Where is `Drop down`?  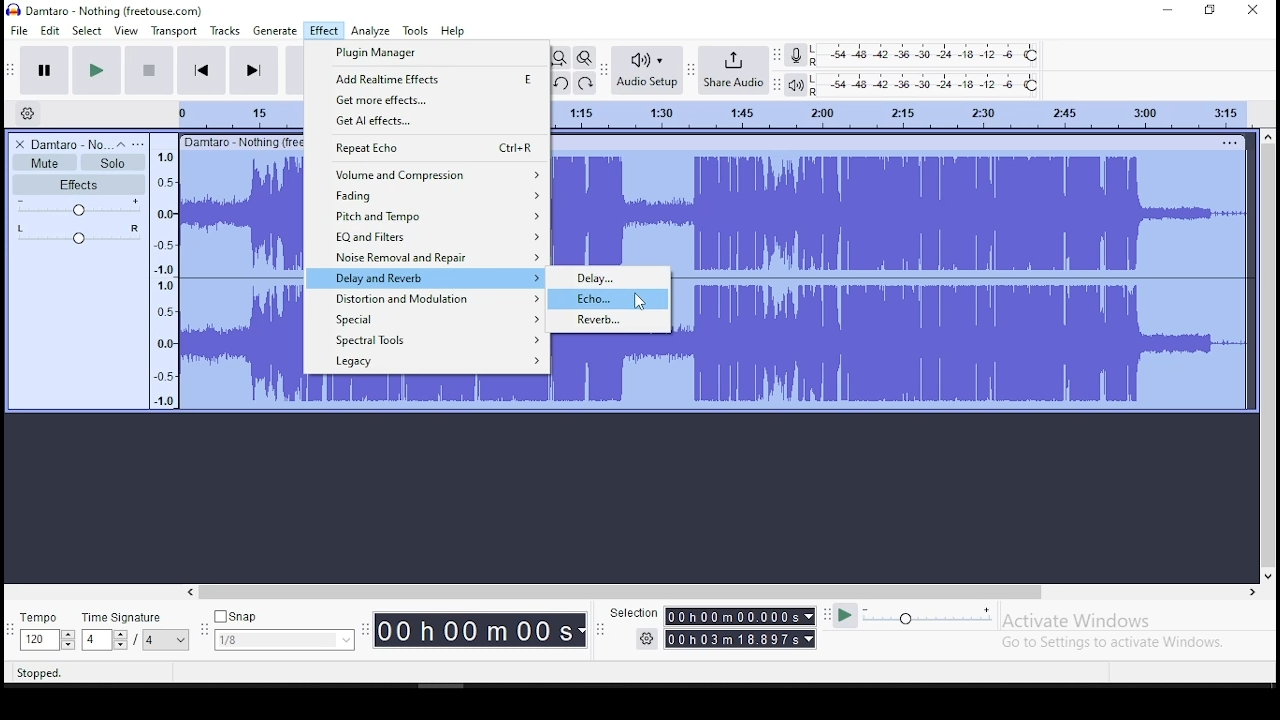 Drop down is located at coordinates (807, 615).